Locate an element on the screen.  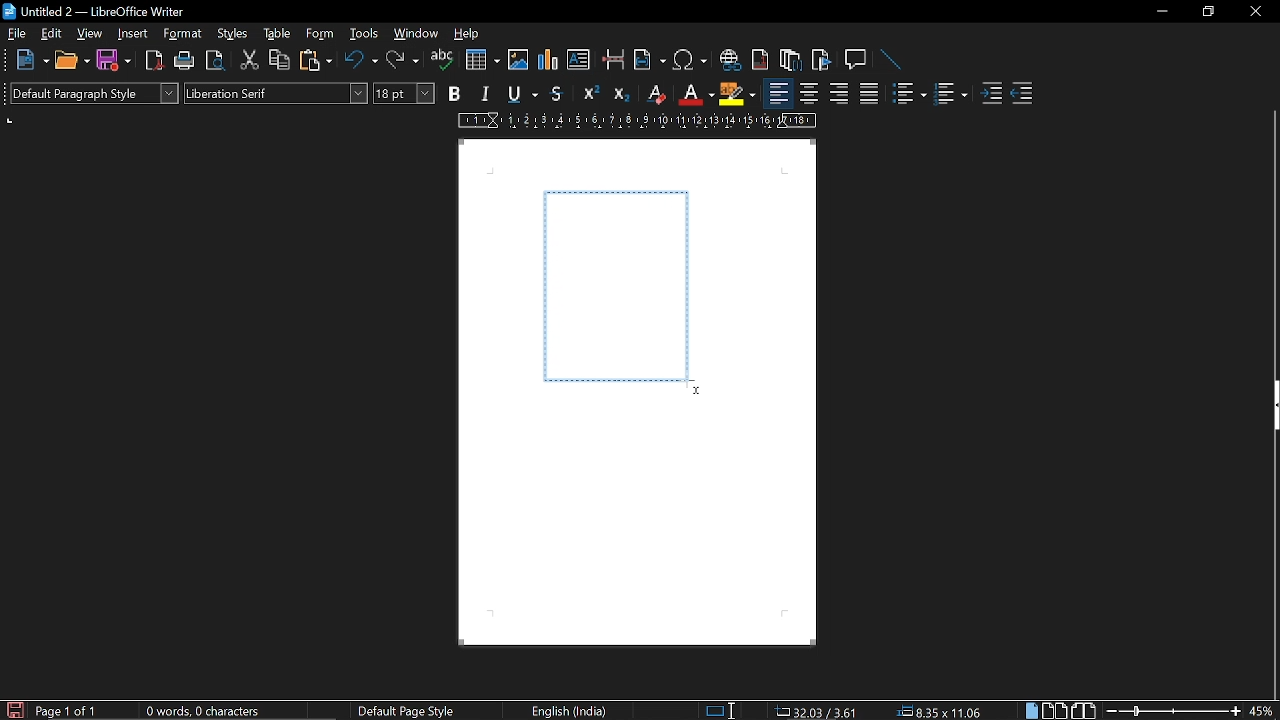
form is located at coordinates (321, 35).